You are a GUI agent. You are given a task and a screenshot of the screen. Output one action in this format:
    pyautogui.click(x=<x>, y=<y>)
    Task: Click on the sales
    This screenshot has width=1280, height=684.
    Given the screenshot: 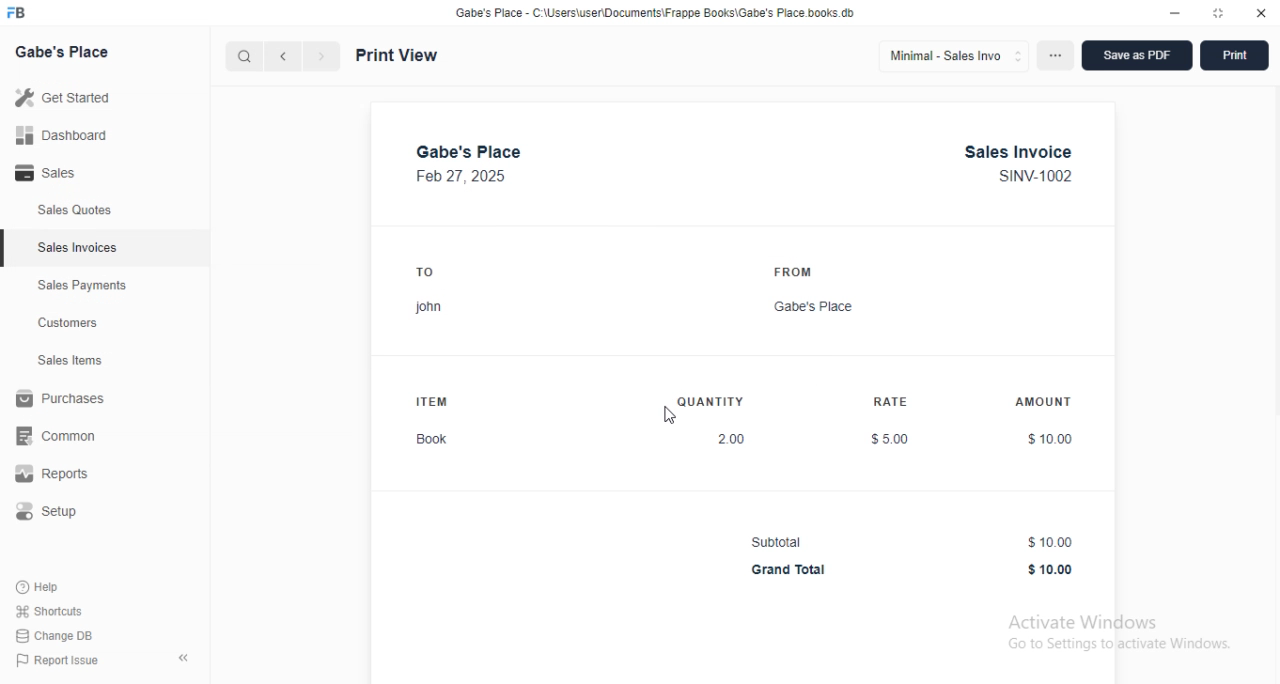 What is the action you would take?
    pyautogui.click(x=48, y=172)
    